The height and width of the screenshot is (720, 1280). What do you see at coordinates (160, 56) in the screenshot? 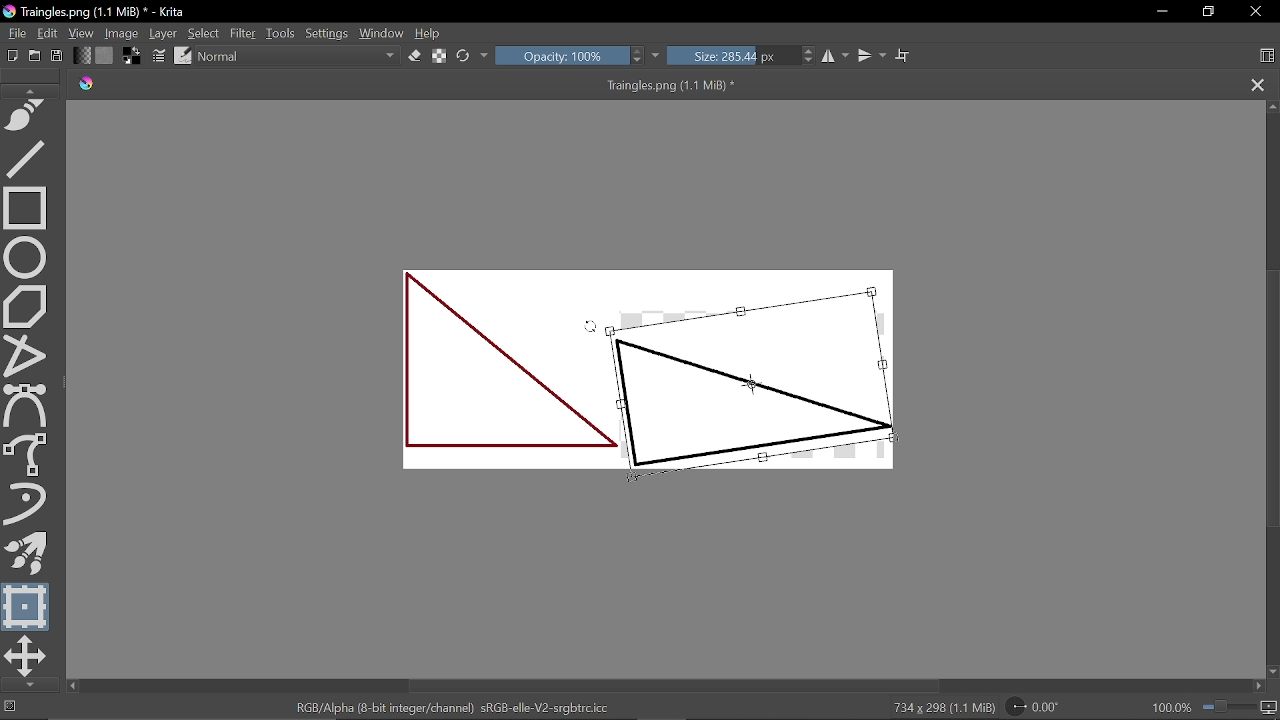
I see `Edit brush settings` at bounding box center [160, 56].